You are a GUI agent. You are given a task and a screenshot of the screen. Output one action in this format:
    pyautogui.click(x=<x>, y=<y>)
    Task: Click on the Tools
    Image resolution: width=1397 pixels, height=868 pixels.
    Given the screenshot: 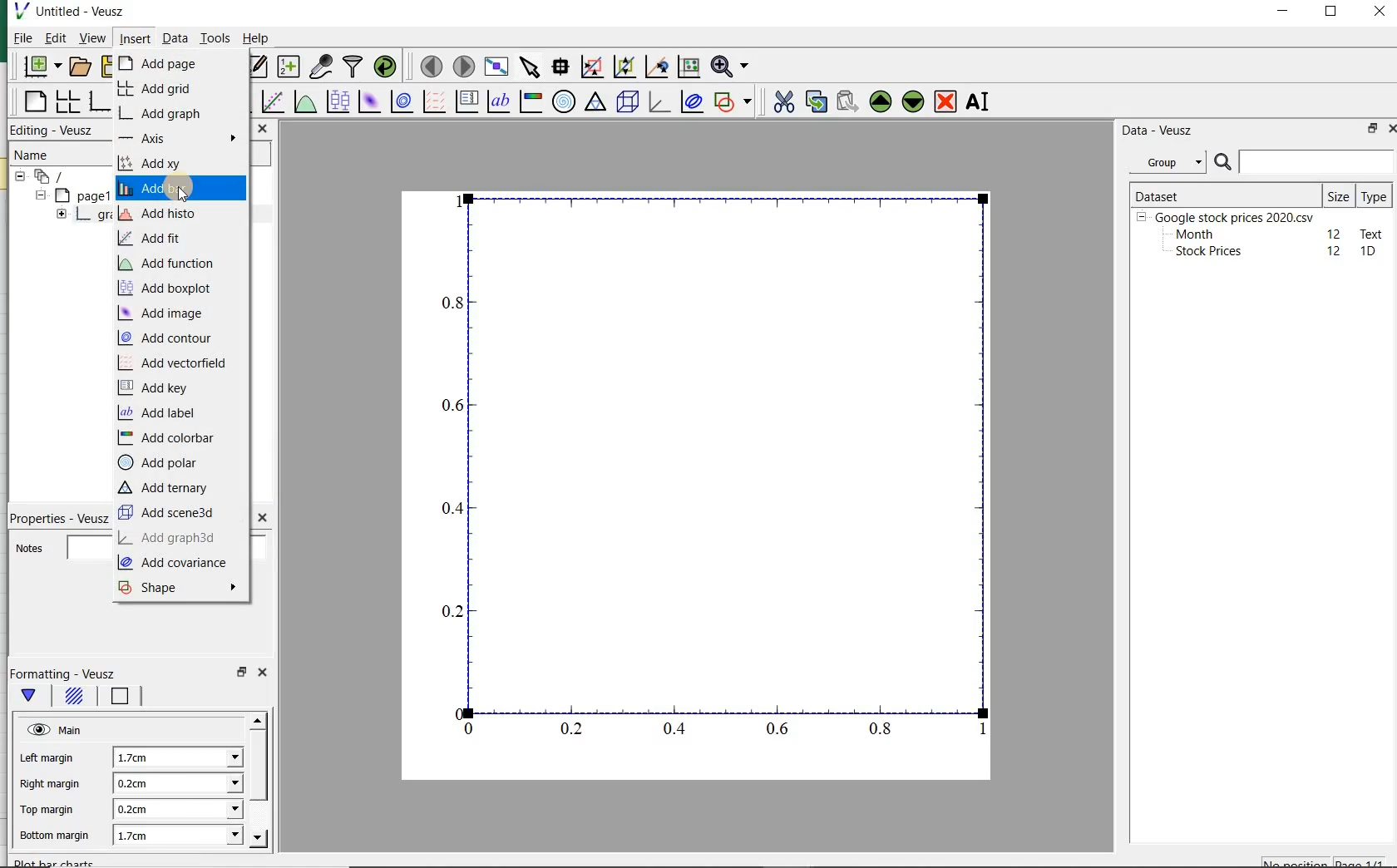 What is the action you would take?
    pyautogui.click(x=215, y=38)
    